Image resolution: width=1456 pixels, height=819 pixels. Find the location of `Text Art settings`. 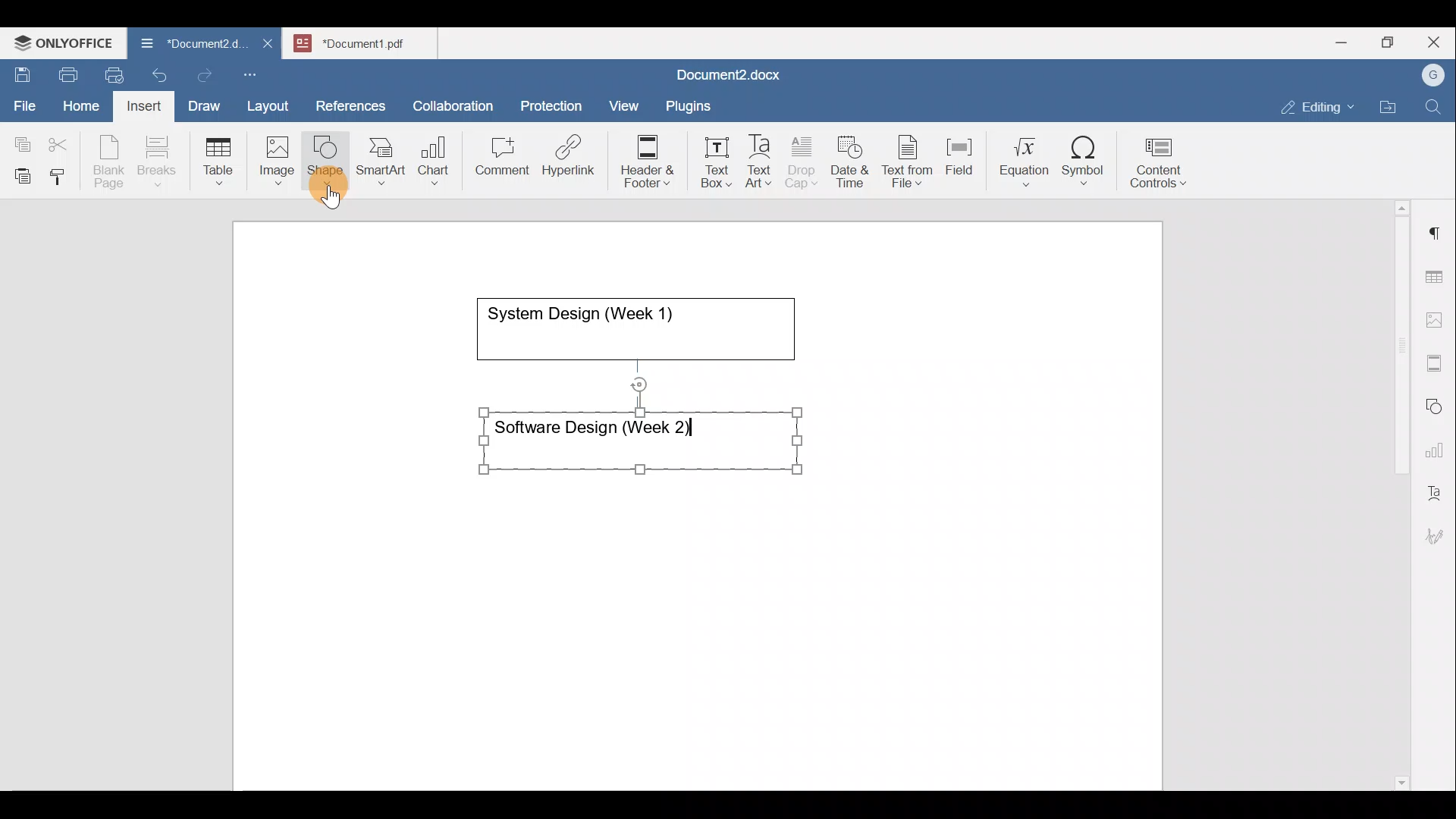

Text Art settings is located at coordinates (1436, 487).